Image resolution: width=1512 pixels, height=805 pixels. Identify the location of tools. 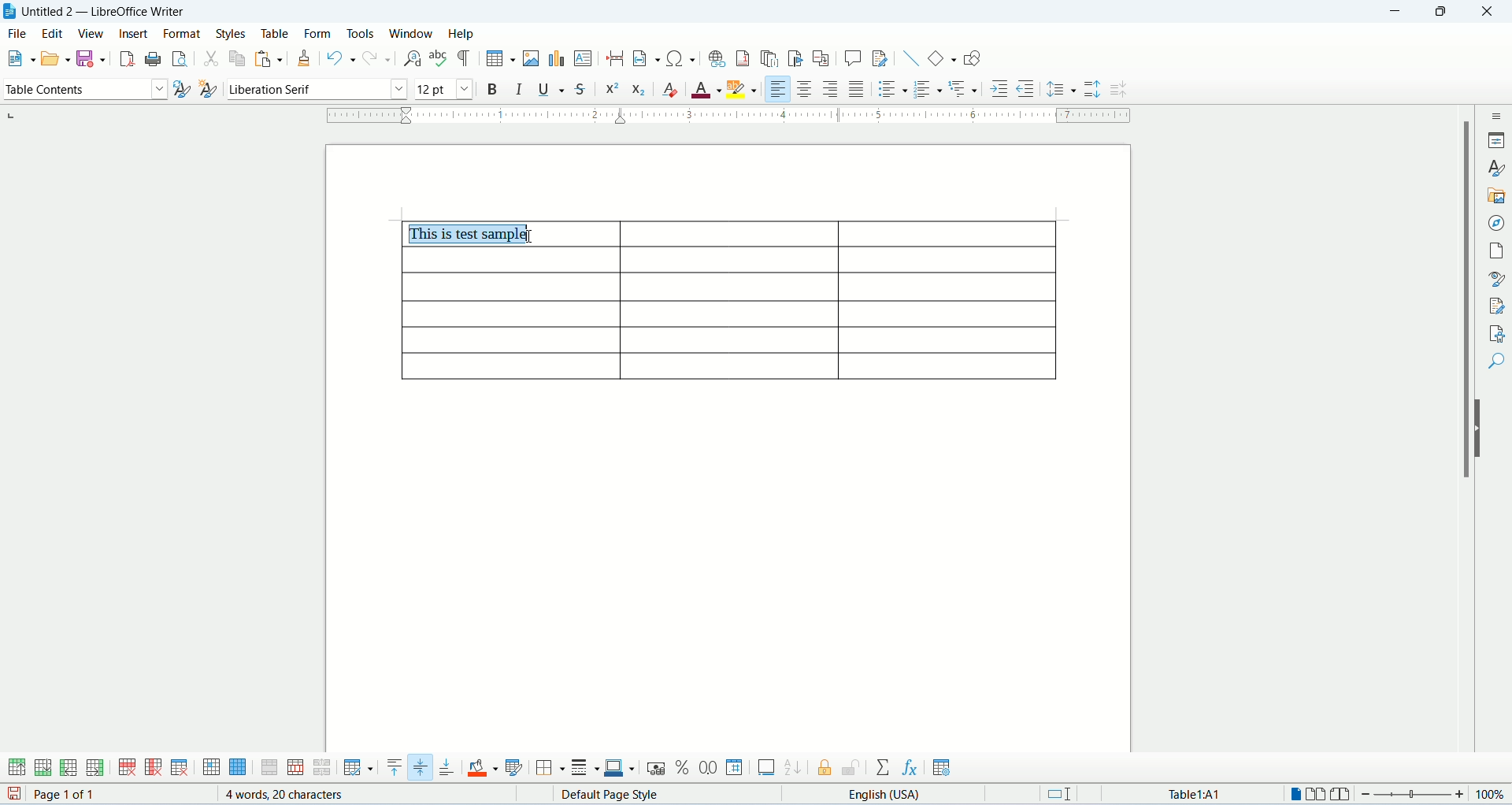
(365, 33).